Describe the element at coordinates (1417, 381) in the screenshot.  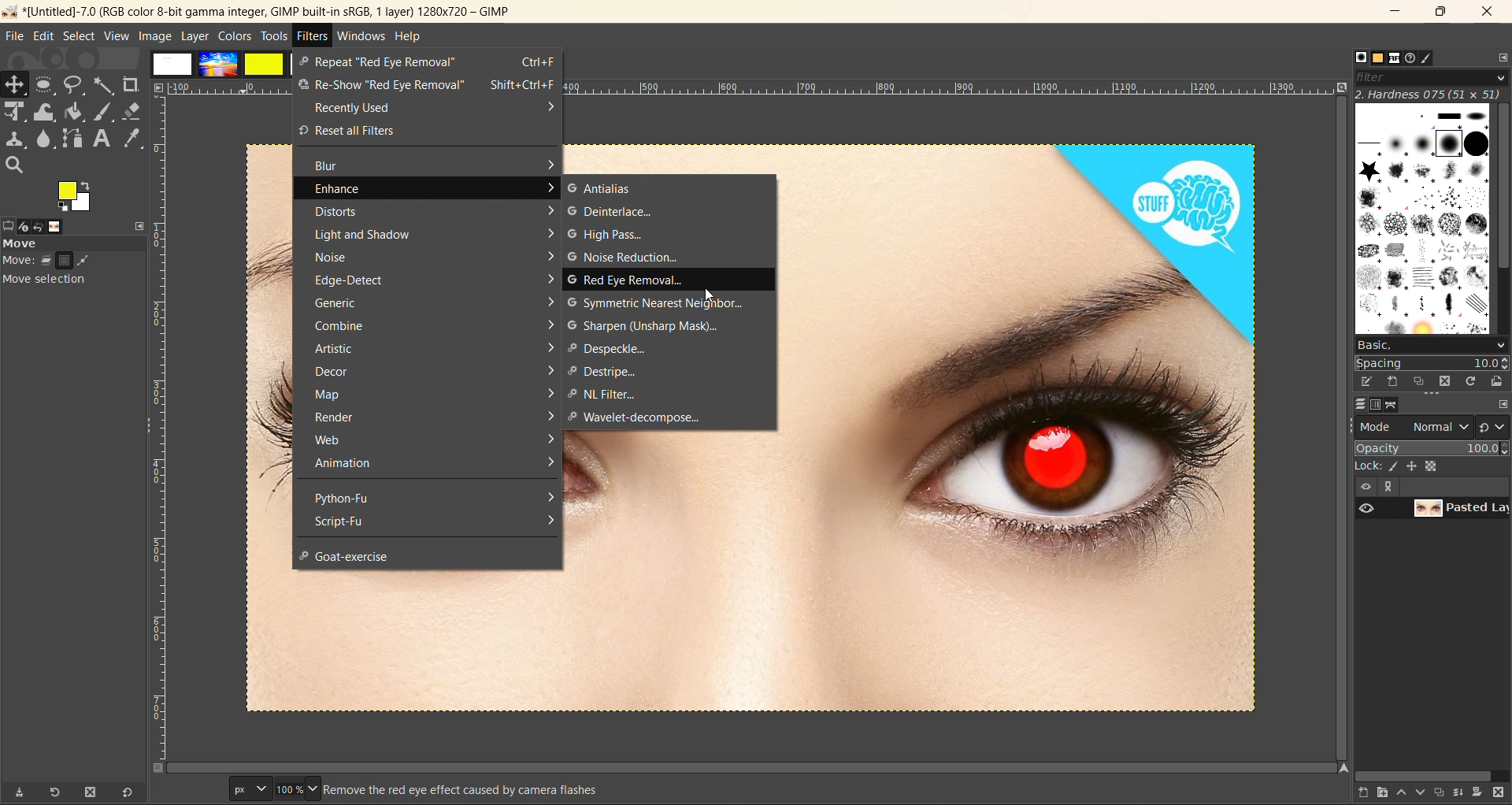
I see `duplicate this brush` at that location.